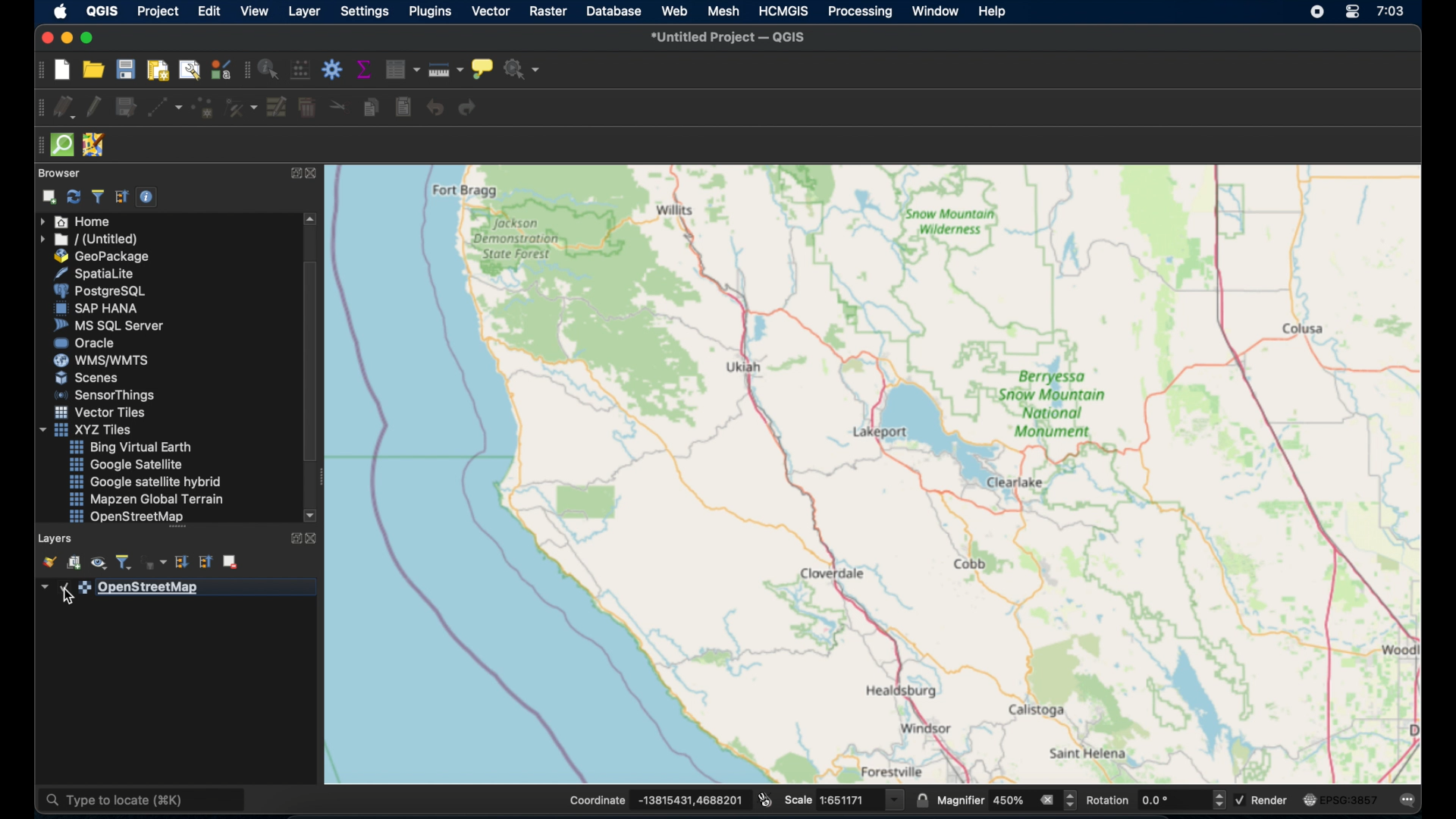  I want to click on refresh, so click(73, 196).